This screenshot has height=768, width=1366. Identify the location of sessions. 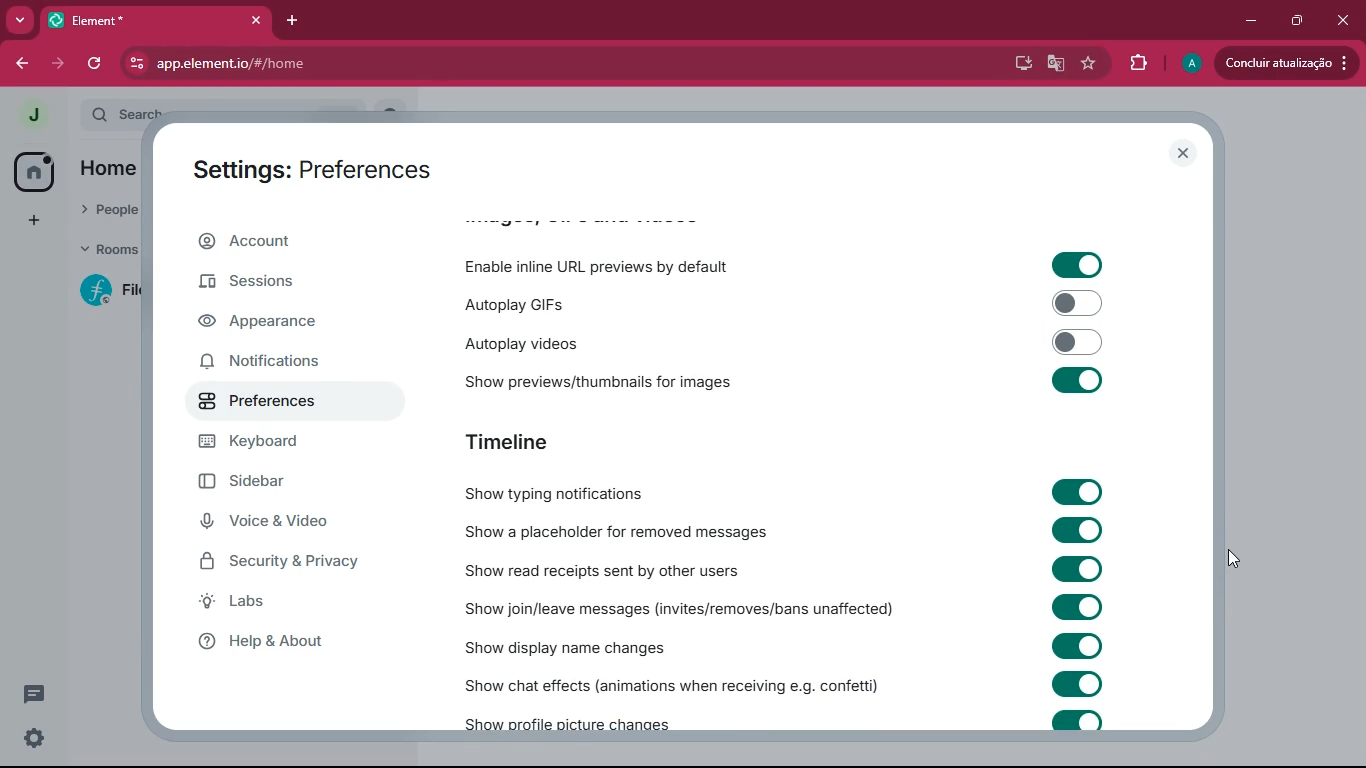
(279, 283).